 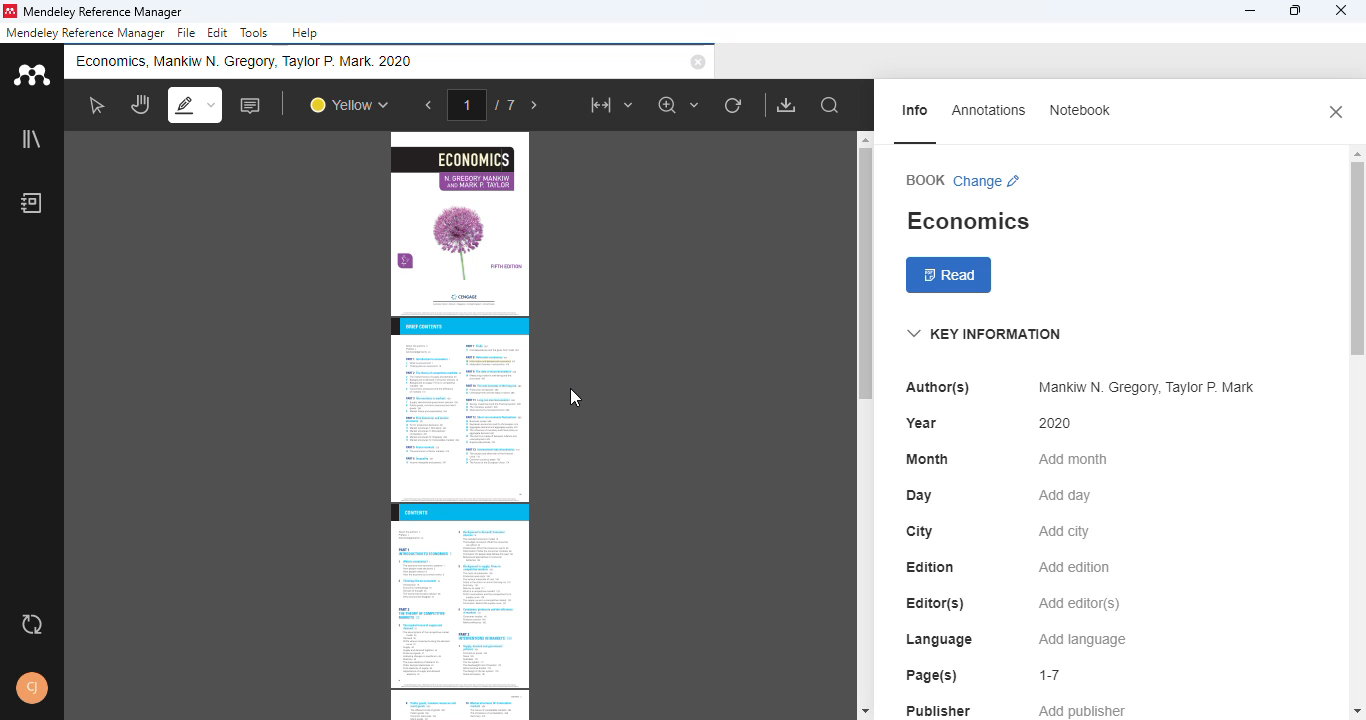 What do you see at coordinates (1142, 388) in the screenshot?
I see `Mankiw N. Gregory, Taylor P. Mark` at bounding box center [1142, 388].